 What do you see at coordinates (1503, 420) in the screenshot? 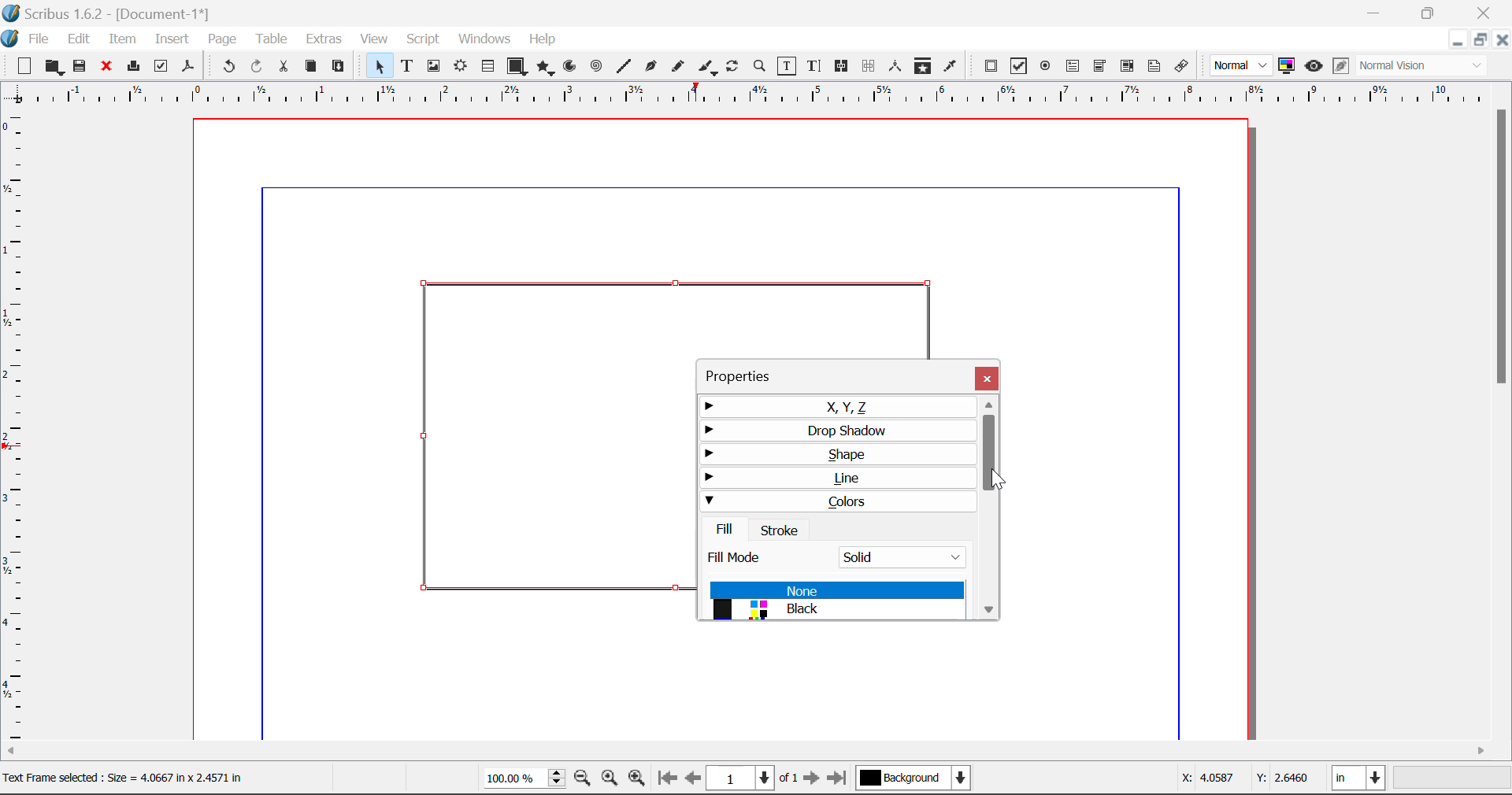
I see `Scroll Bar` at bounding box center [1503, 420].